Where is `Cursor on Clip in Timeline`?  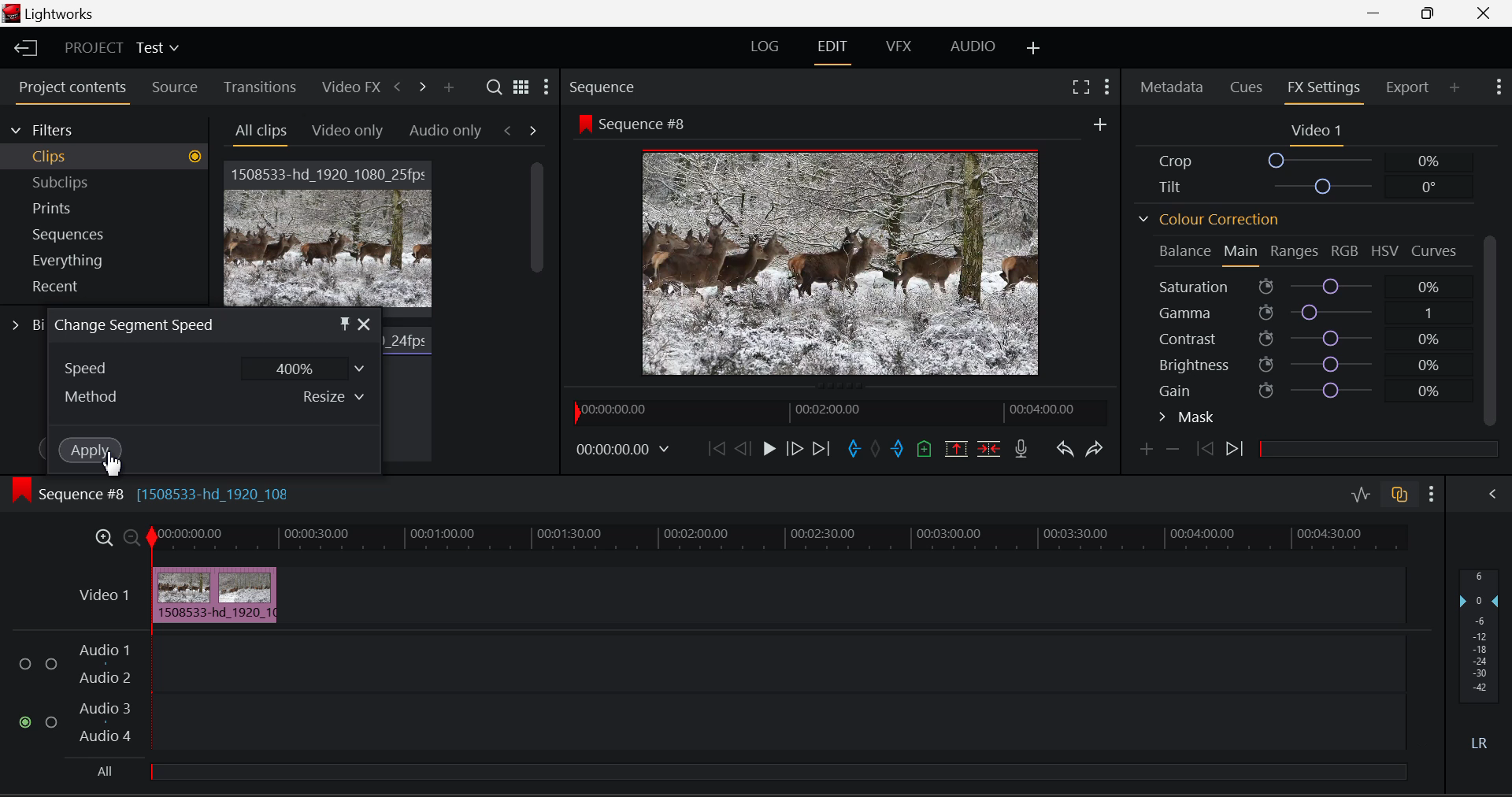 Cursor on Clip in Timeline is located at coordinates (213, 595).